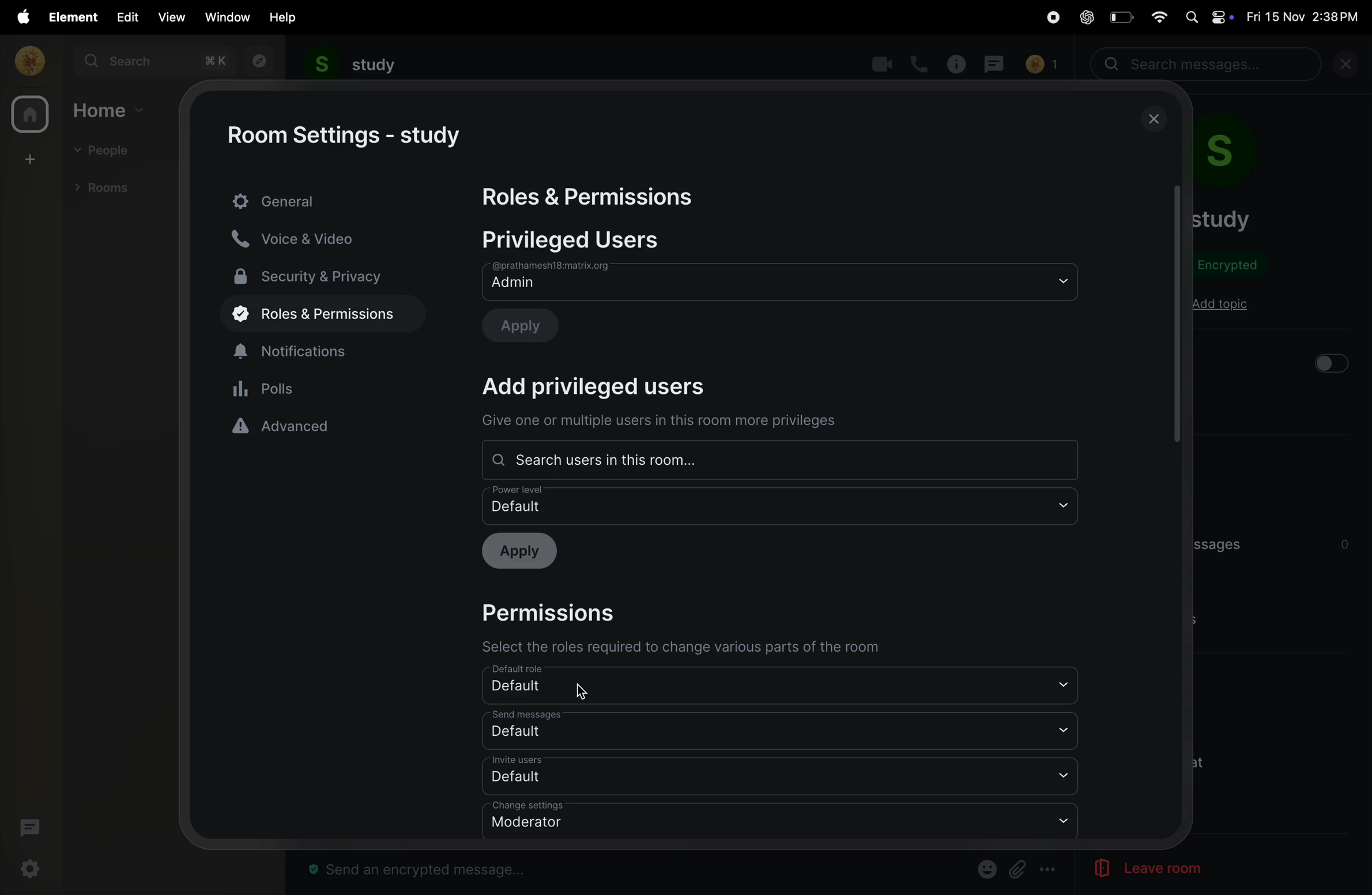 The width and height of the screenshot is (1372, 895). What do you see at coordinates (783, 776) in the screenshot?
I see `Default` at bounding box center [783, 776].